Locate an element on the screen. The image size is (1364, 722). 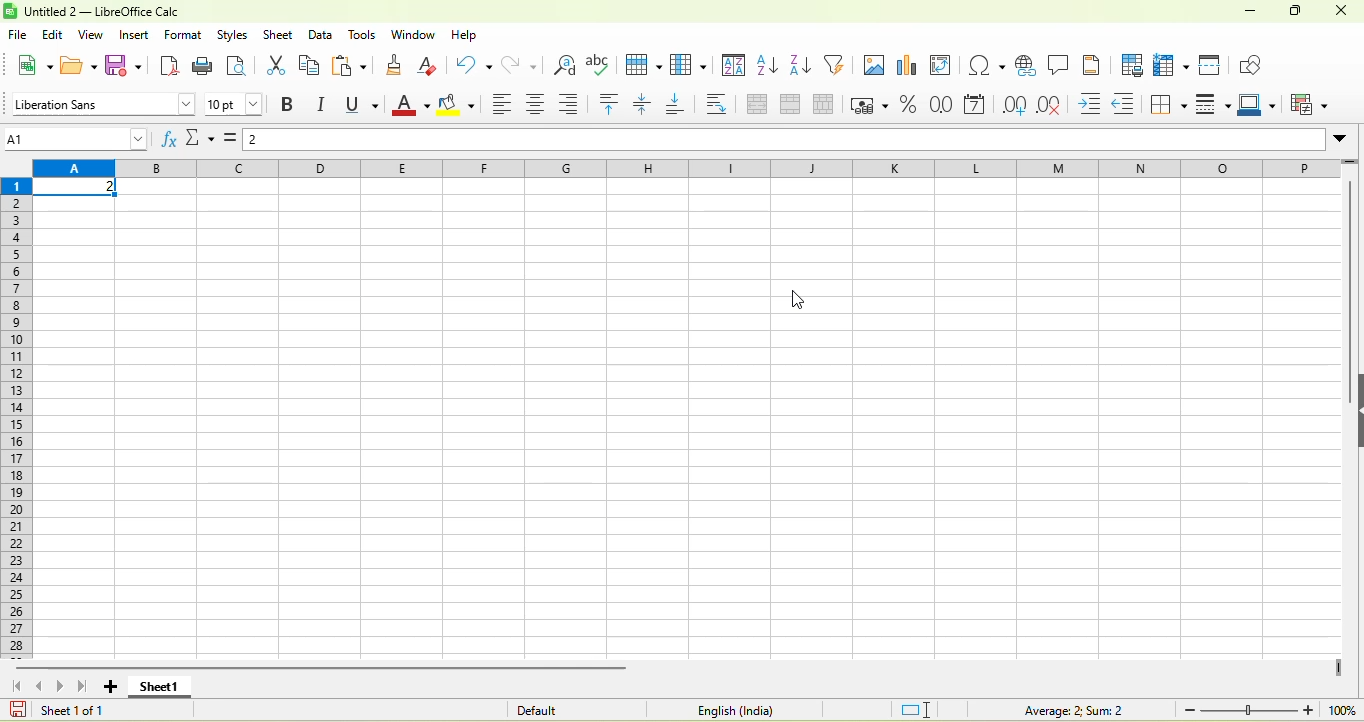
new is located at coordinates (30, 64).